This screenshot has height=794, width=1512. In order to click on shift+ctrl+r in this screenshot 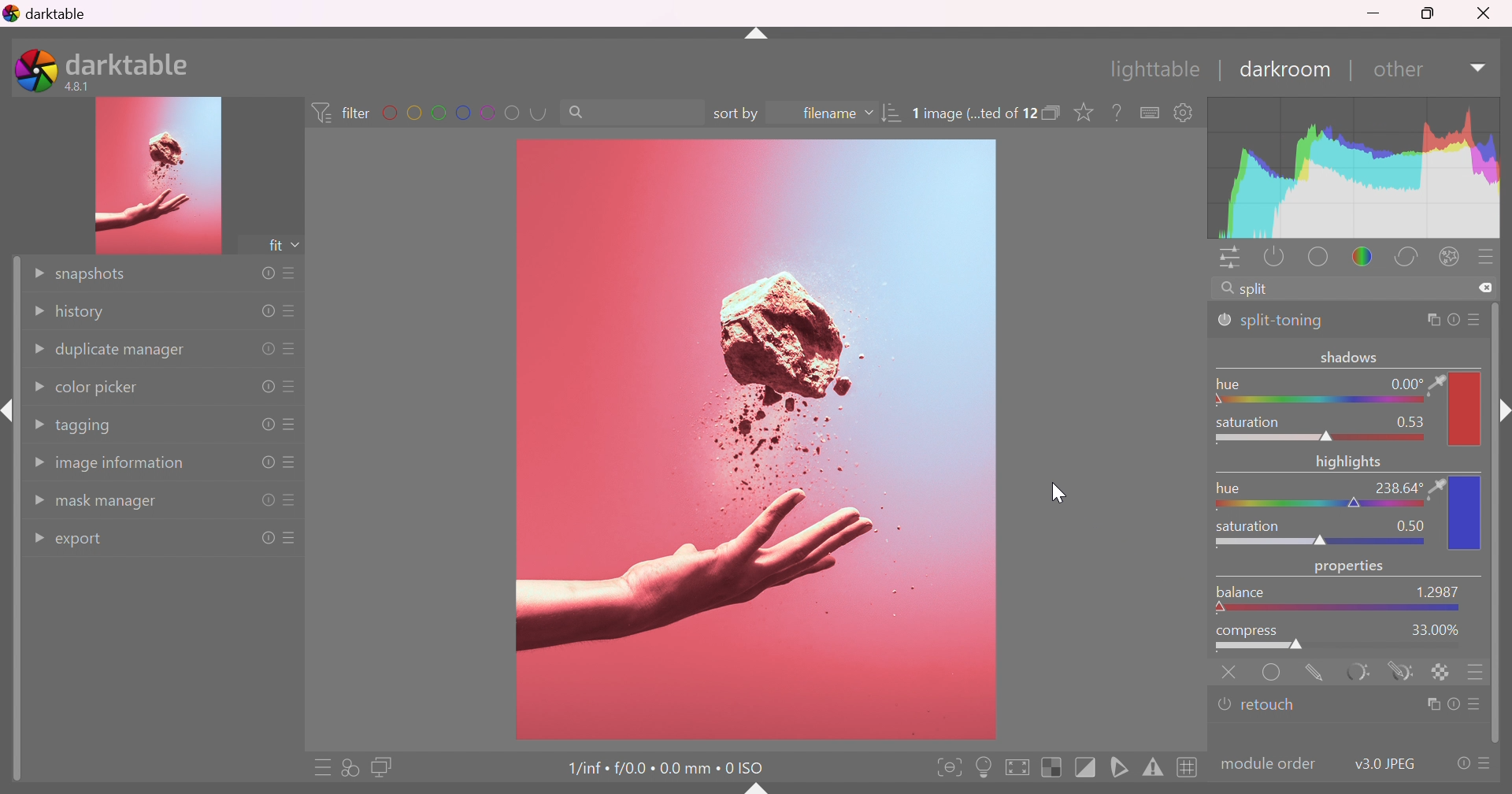, I will do `click(1503, 408)`.